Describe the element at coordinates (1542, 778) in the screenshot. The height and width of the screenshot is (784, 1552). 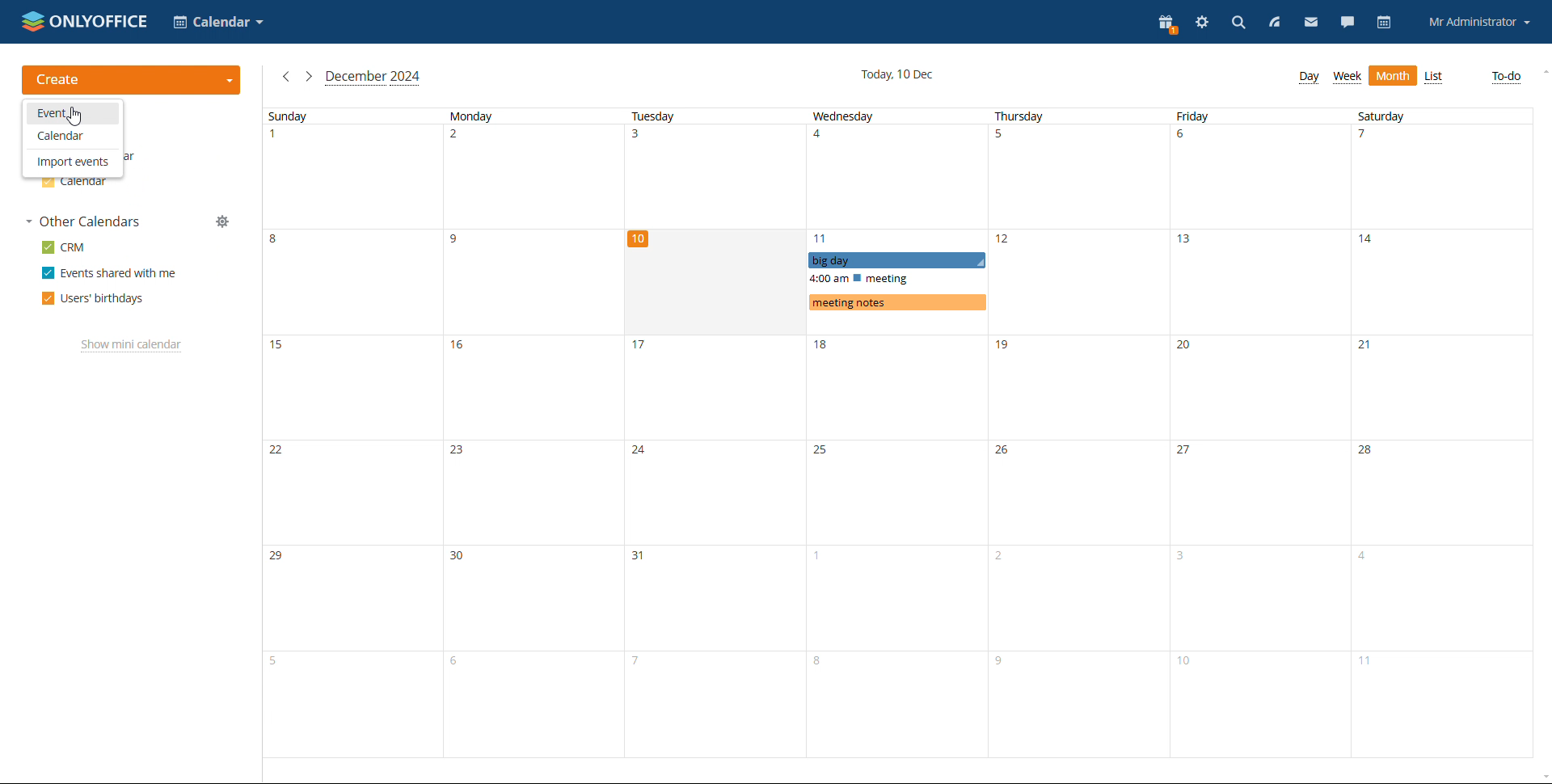
I see `scroll down` at that location.